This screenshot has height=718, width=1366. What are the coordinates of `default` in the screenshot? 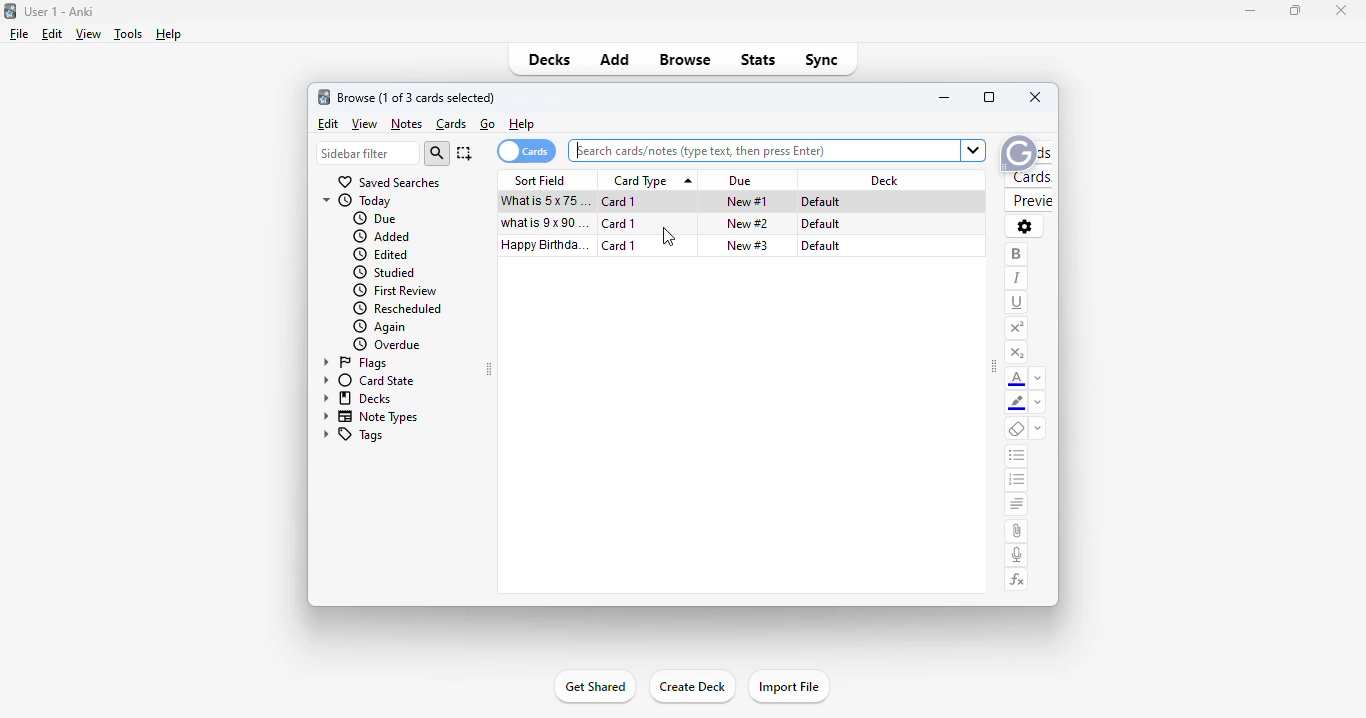 It's located at (821, 202).